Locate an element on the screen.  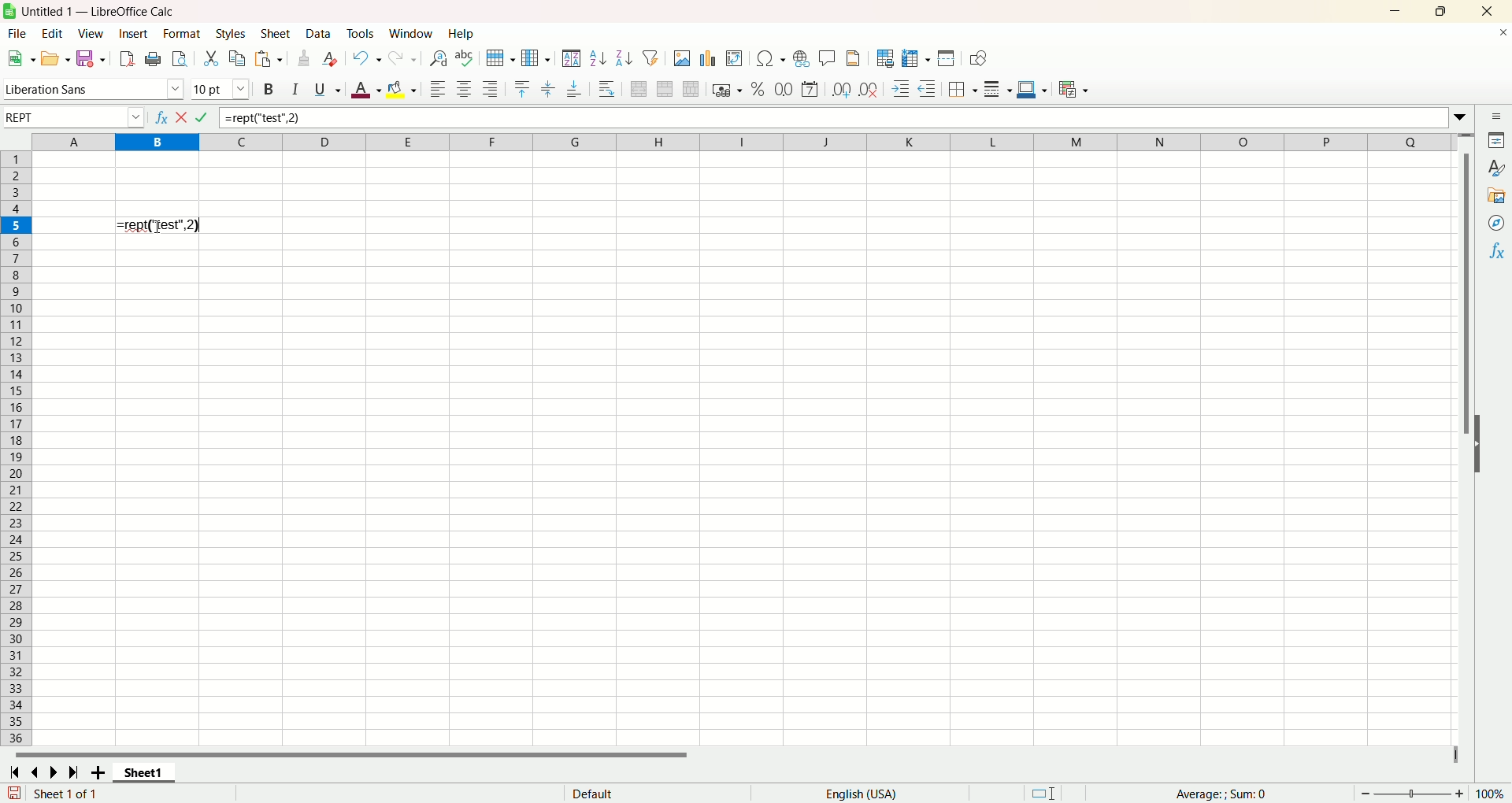
view is located at coordinates (91, 33).